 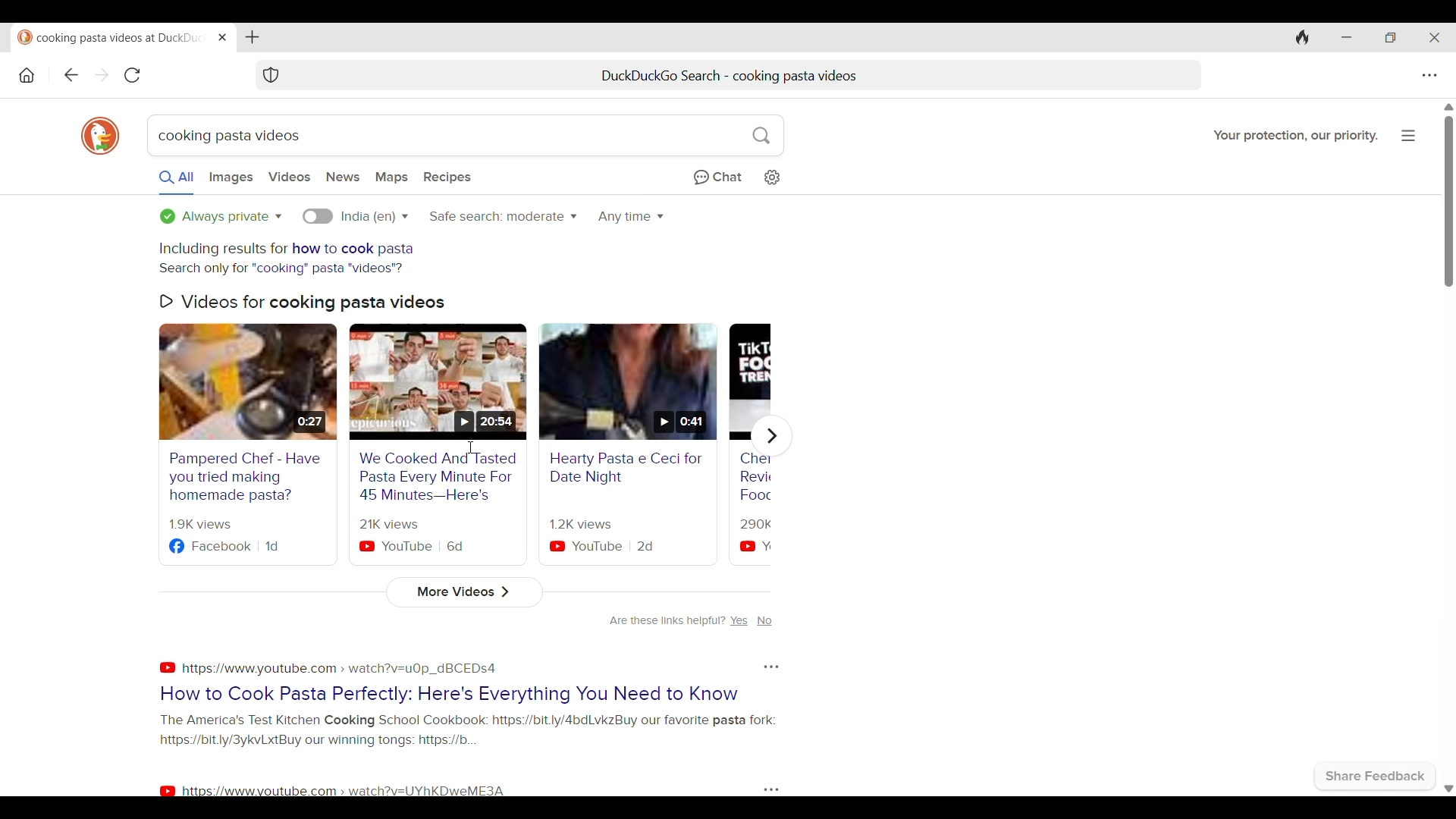 What do you see at coordinates (437, 441) in the screenshot?
I see `We cook 10 tasted pasta every minute for 45 minutes here's` at bounding box center [437, 441].